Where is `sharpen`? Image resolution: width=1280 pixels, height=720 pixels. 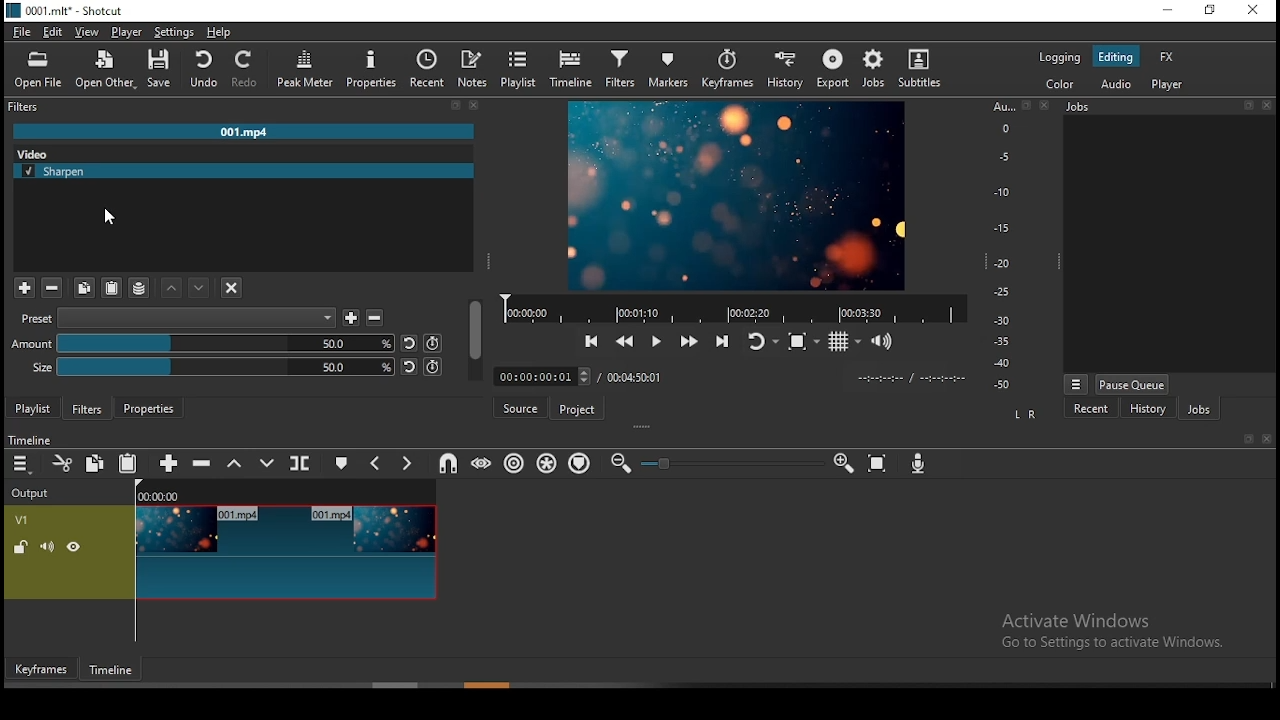
sharpen is located at coordinates (243, 171).